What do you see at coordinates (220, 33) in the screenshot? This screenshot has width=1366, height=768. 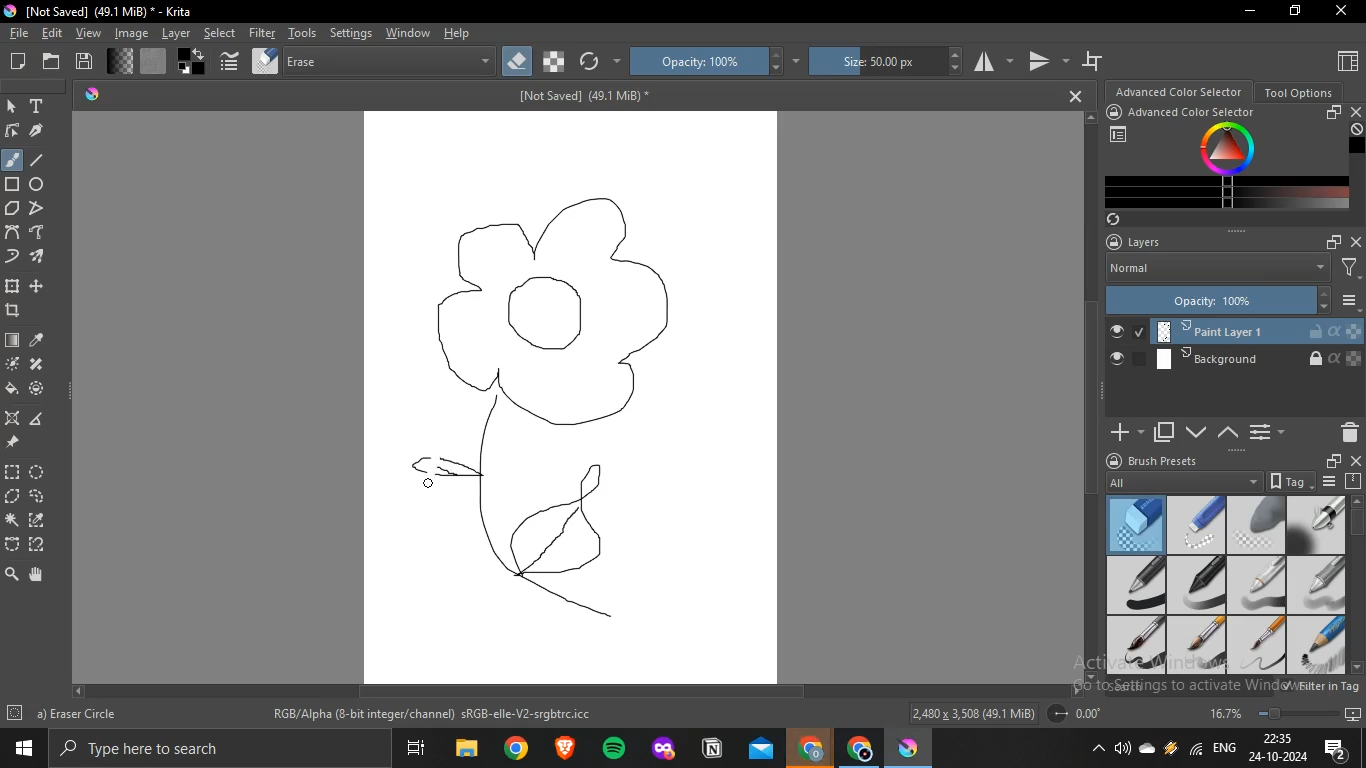 I see `select` at bounding box center [220, 33].